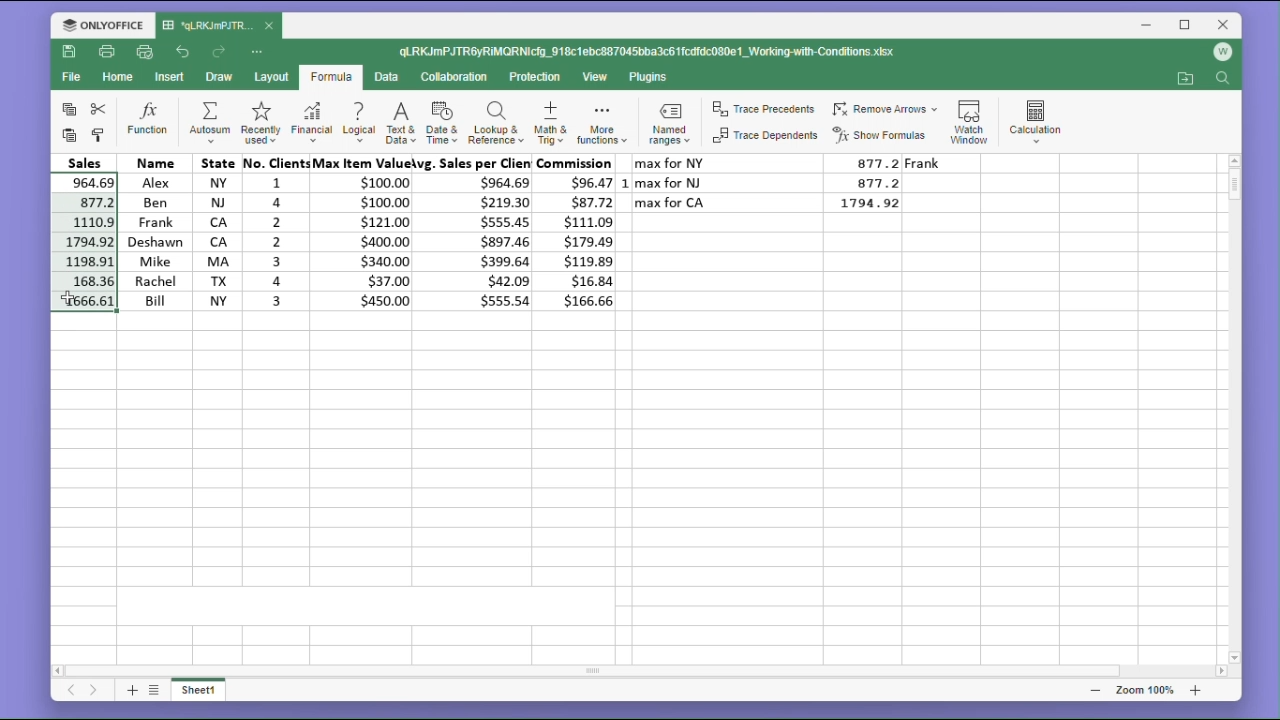 The image size is (1280, 720). I want to click on formula, so click(330, 78).